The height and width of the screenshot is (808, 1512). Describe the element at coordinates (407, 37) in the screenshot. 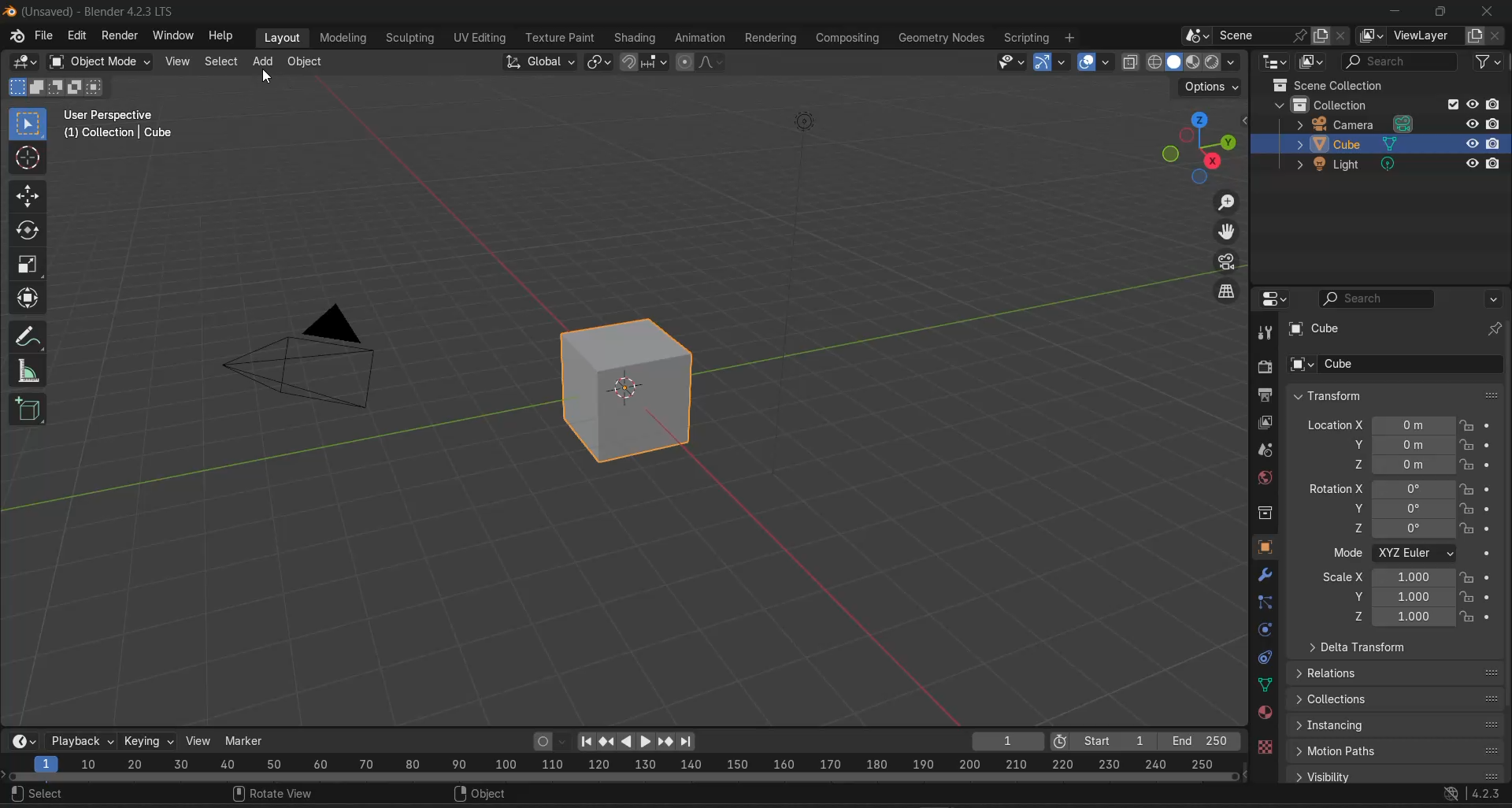

I see `sculpting` at that location.